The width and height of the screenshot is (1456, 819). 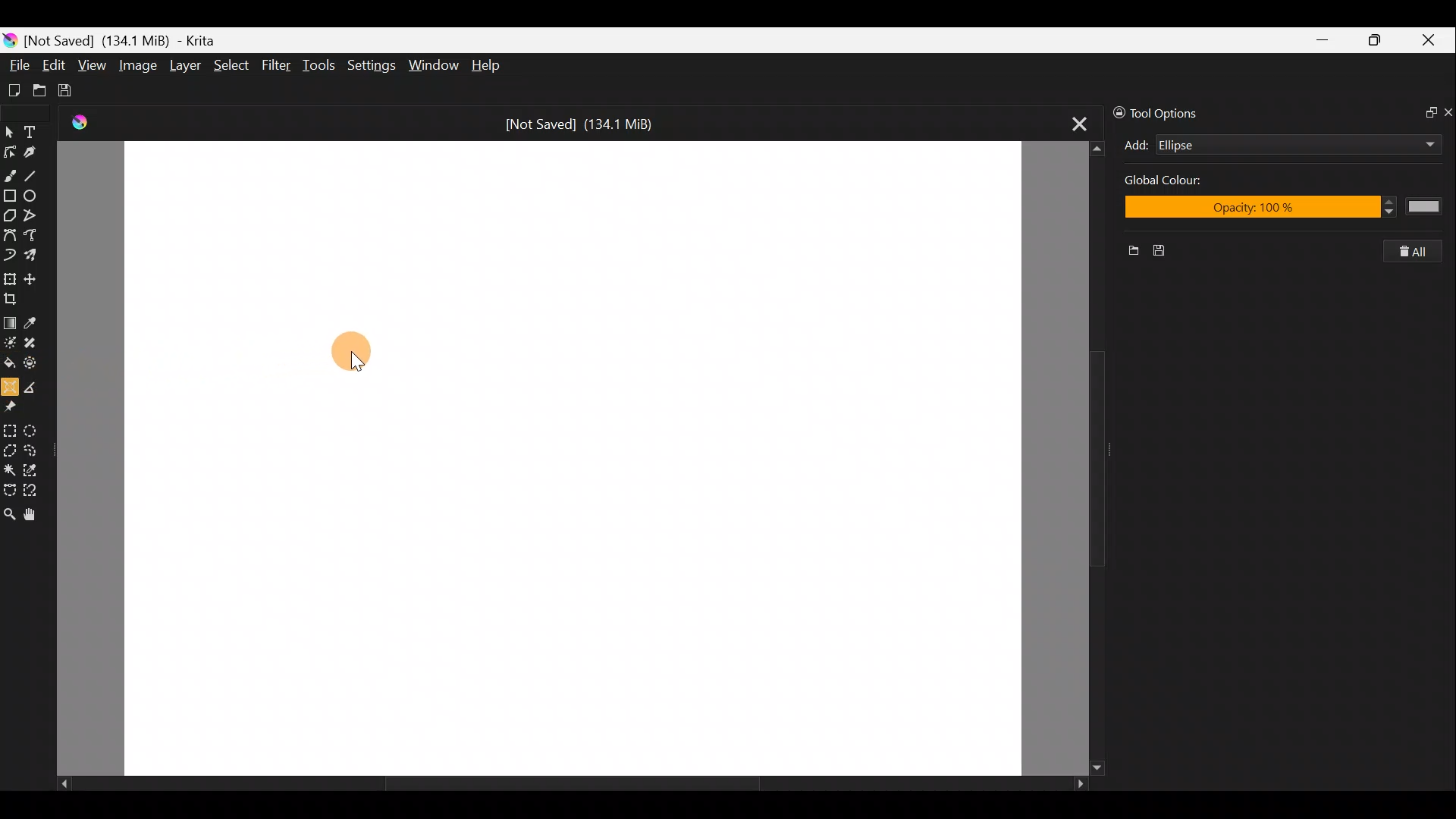 I want to click on Edit shapes tool, so click(x=12, y=149).